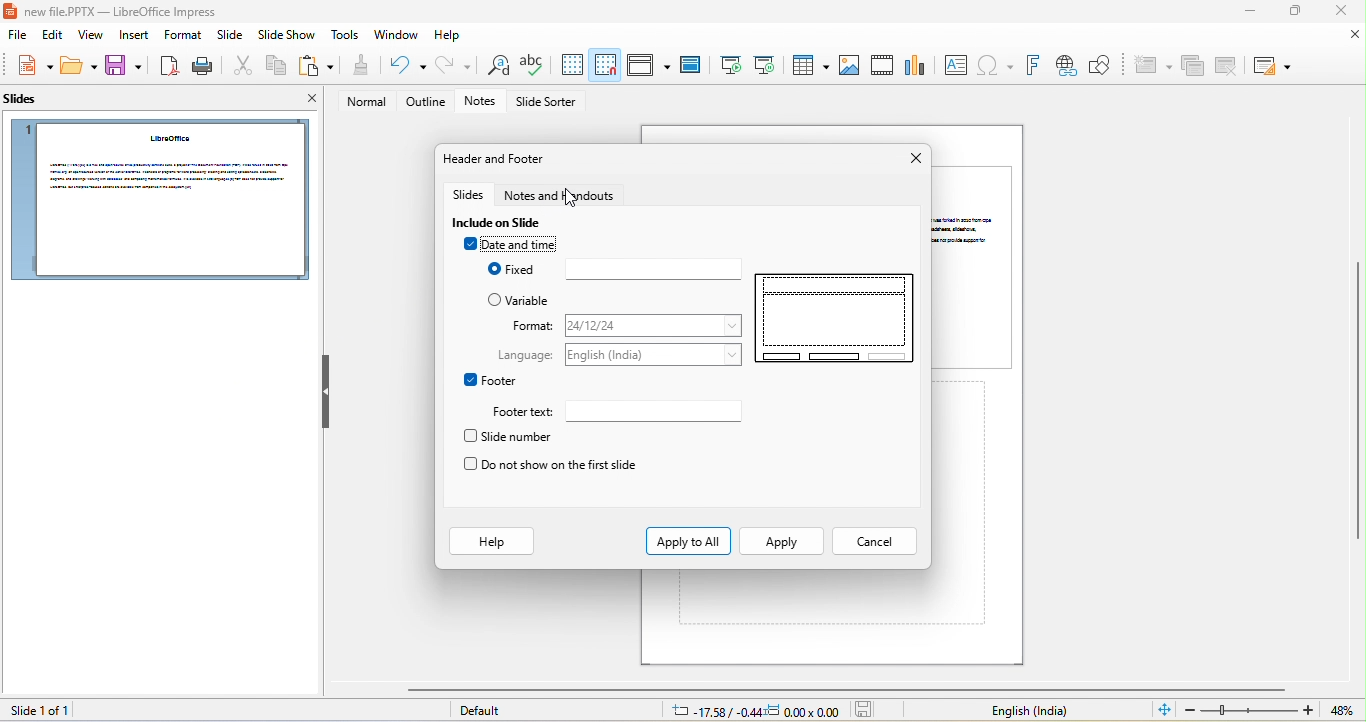 Image resolution: width=1366 pixels, height=722 pixels. What do you see at coordinates (515, 246) in the screenshot?
I see `date and time` at bounding box center [515, 246].